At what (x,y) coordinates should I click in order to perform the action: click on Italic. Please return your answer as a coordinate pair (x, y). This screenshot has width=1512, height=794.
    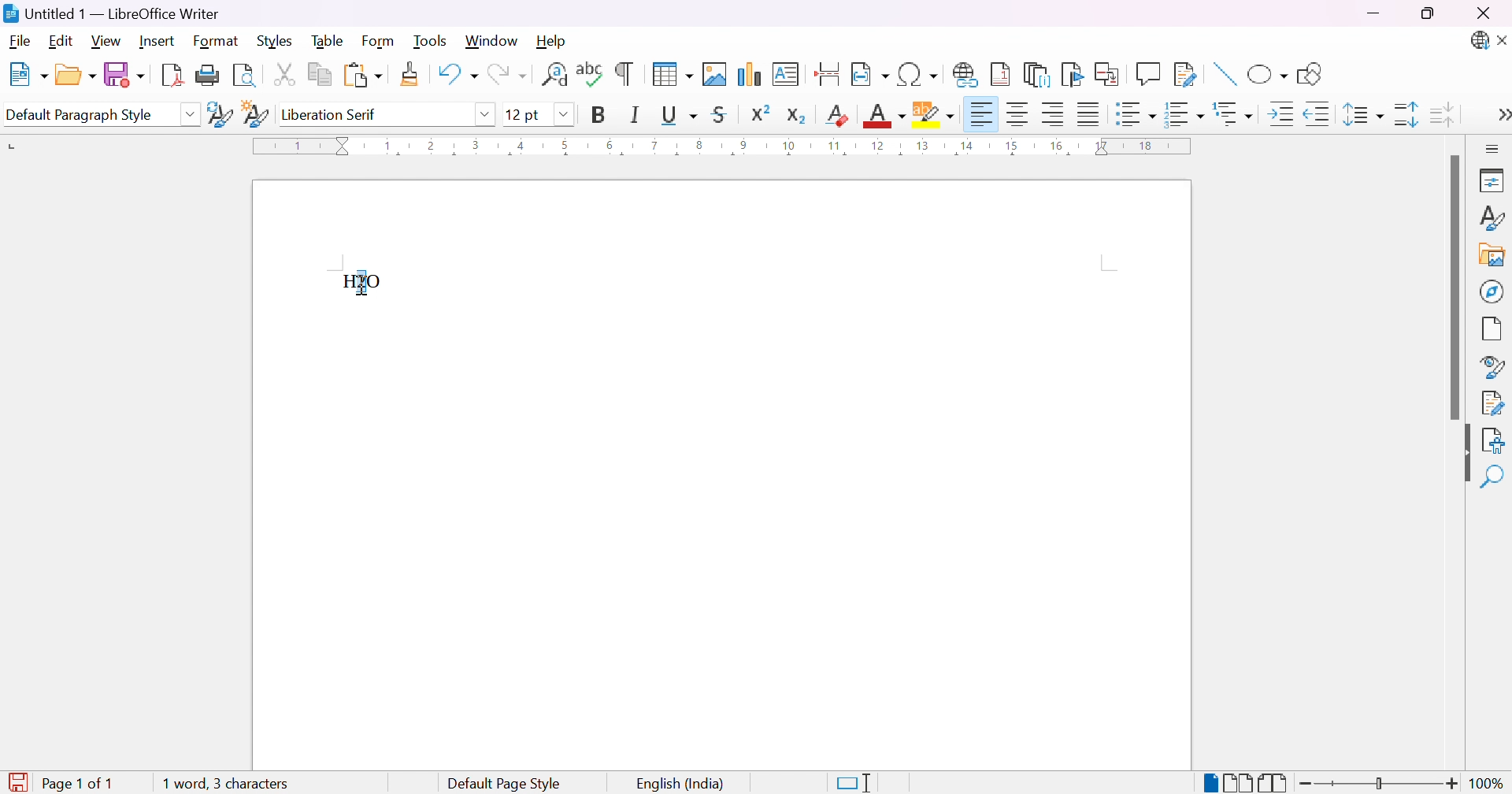
    Looking at the image, I should click on (636, 114).